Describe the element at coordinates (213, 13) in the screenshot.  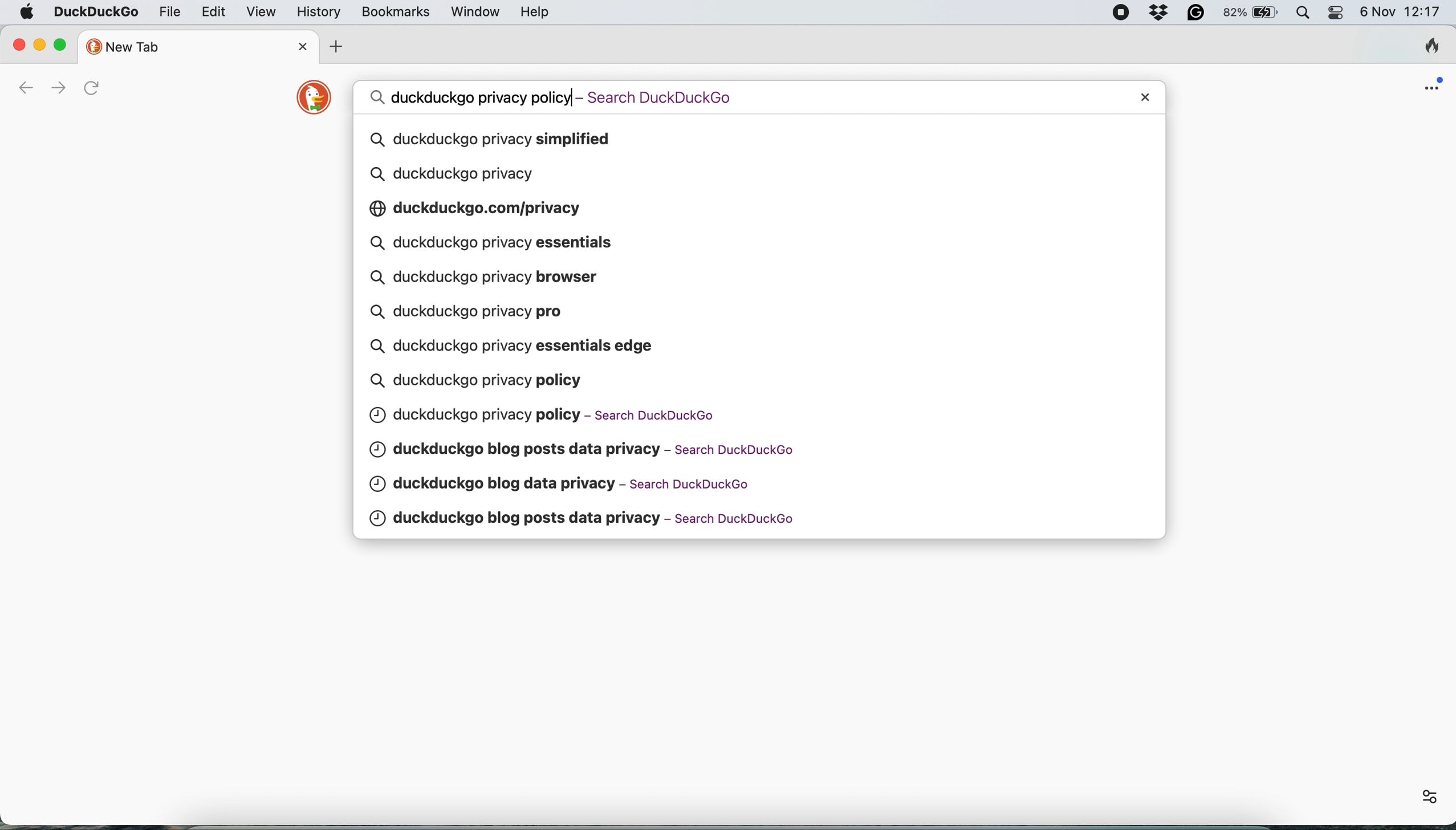
I see `edit` at that location.